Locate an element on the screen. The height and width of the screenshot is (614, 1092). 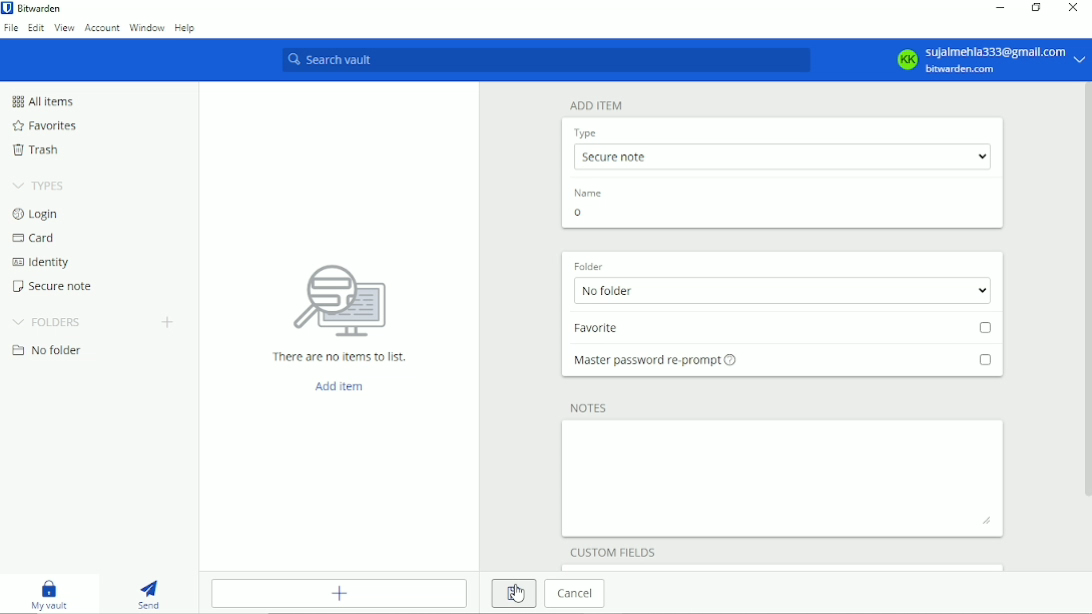
Notes is located at coordinates (591, 407).